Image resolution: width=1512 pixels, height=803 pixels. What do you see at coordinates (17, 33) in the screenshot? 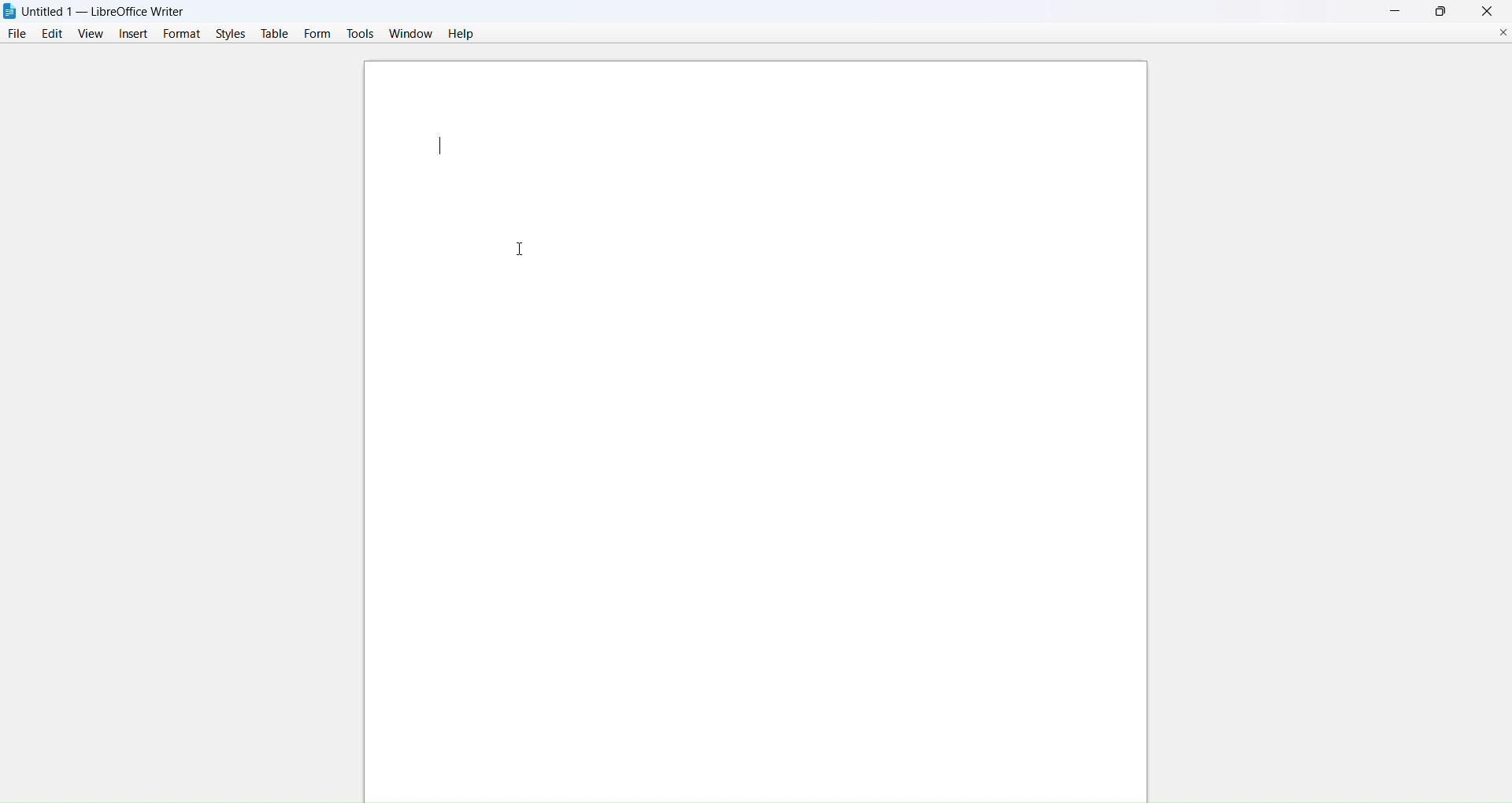
I see `file` at bounding box center [17, 33].